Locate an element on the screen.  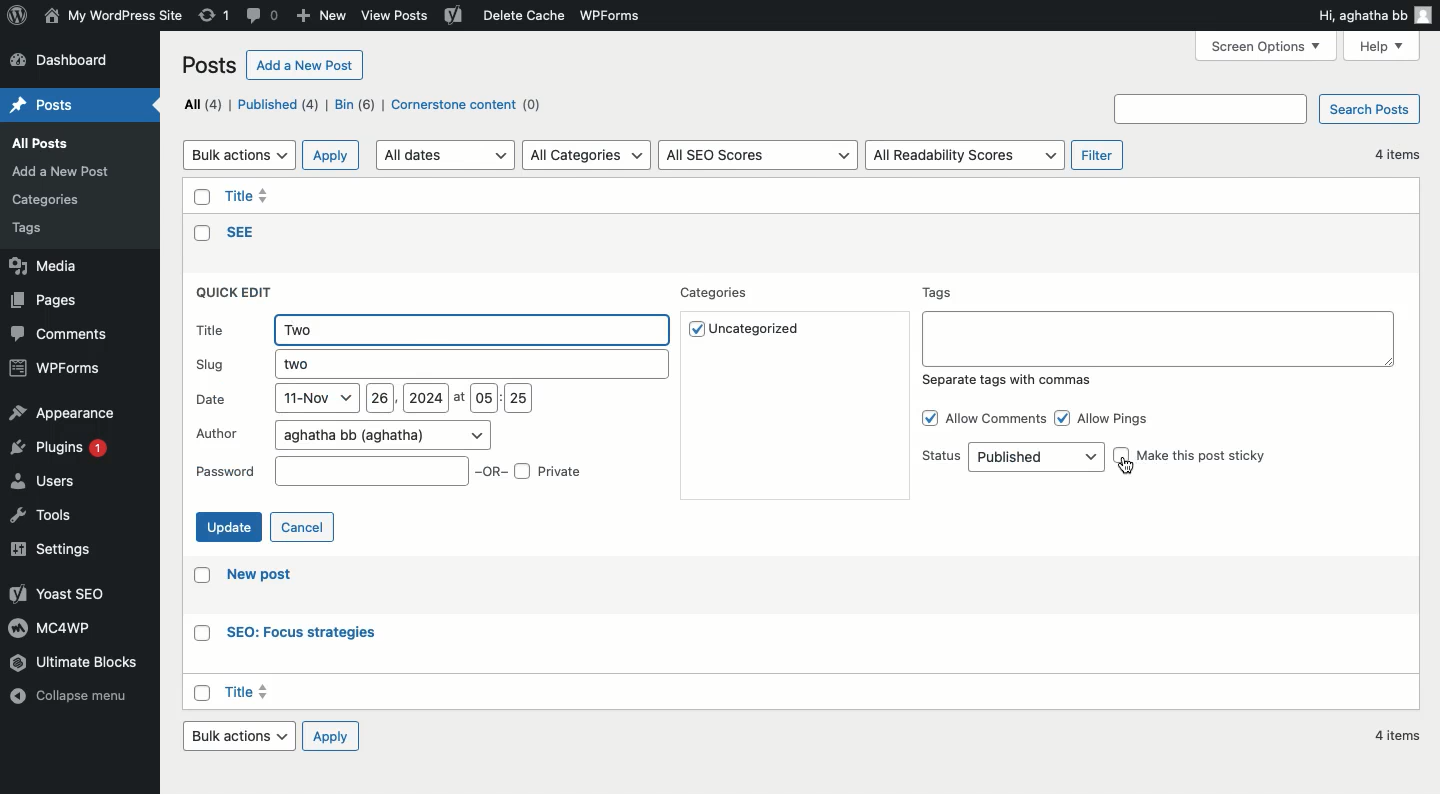
Posts is located at coordinates (211, 64).